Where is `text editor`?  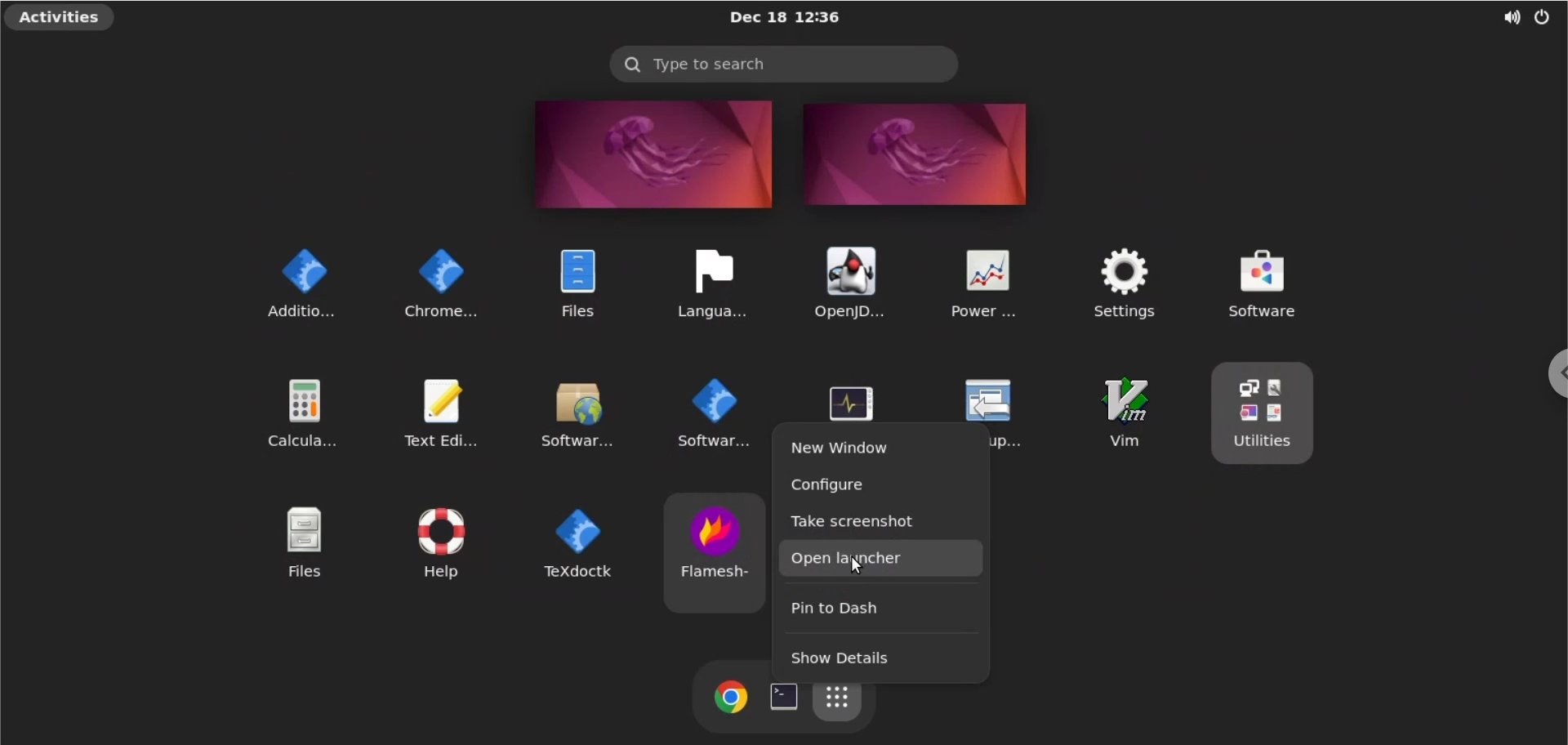 text editor is located at coordinates (450, 408).